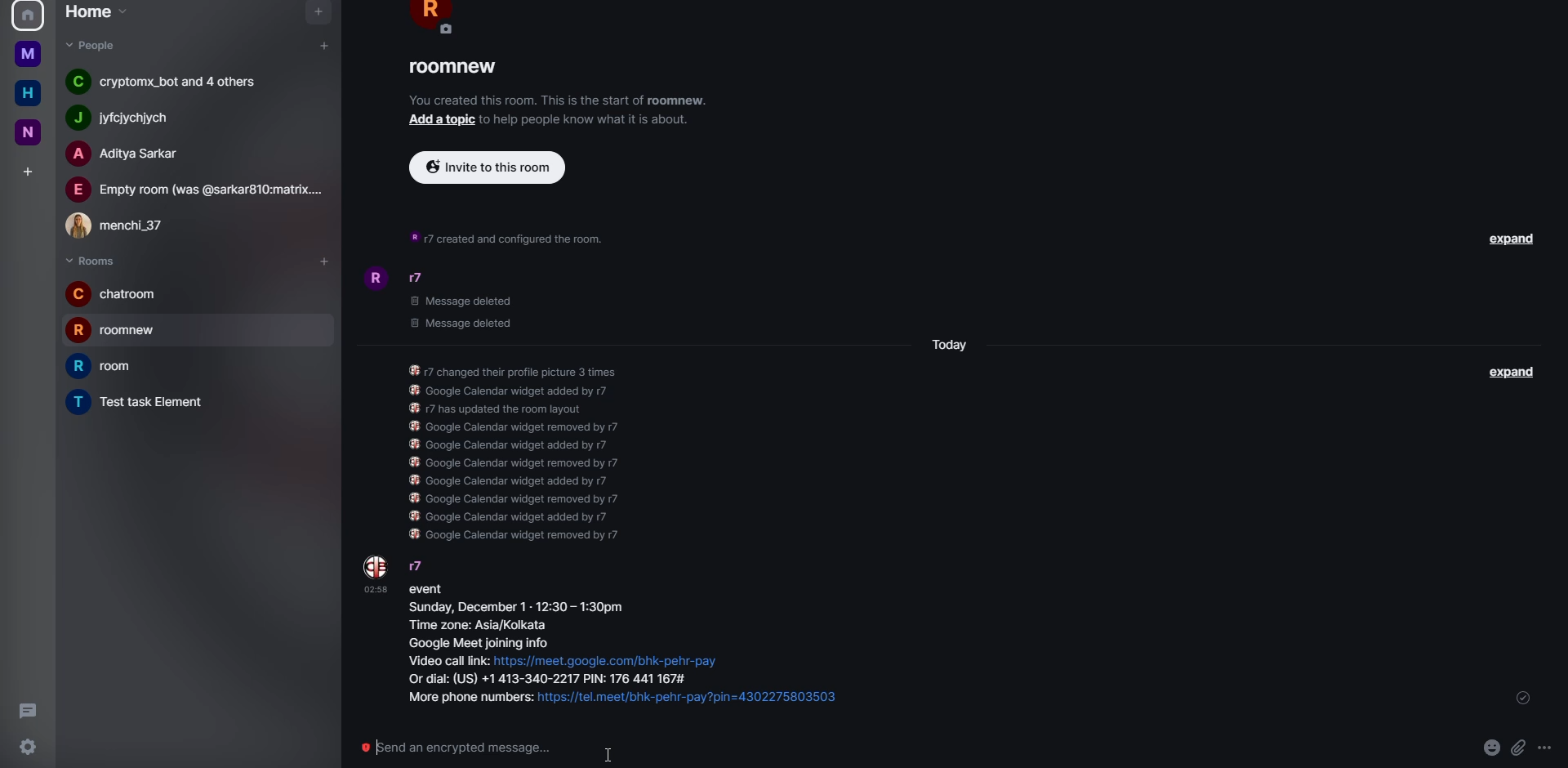 This screenshot has width=1568, height=768. Describe the element at coordinates (1521, 700) in the screenshot. I see `sent` at that location.